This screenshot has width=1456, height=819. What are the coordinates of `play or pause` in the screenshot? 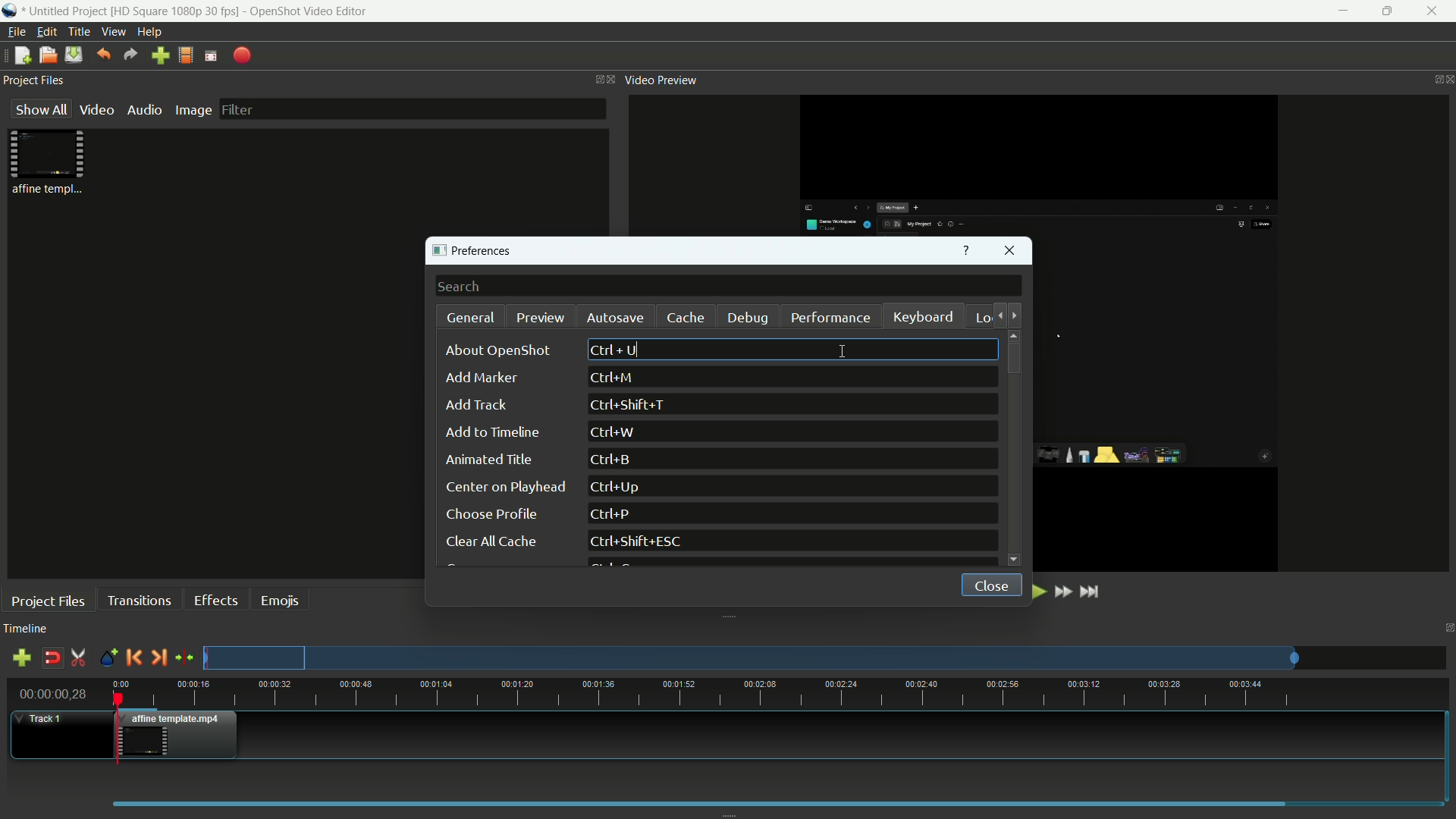 It's located at (1037, 591).